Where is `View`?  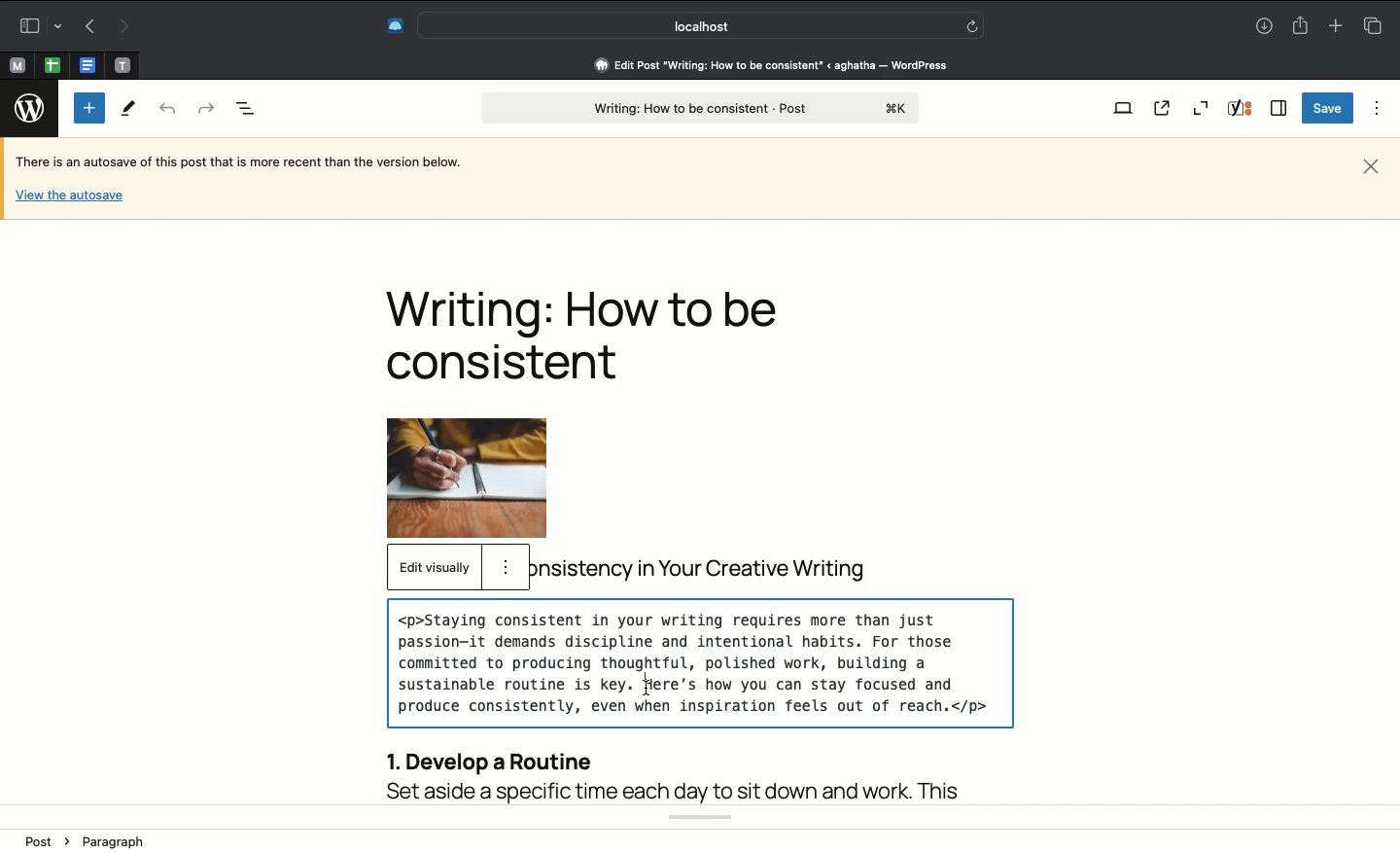
View is located at coordinates (1122, 110).